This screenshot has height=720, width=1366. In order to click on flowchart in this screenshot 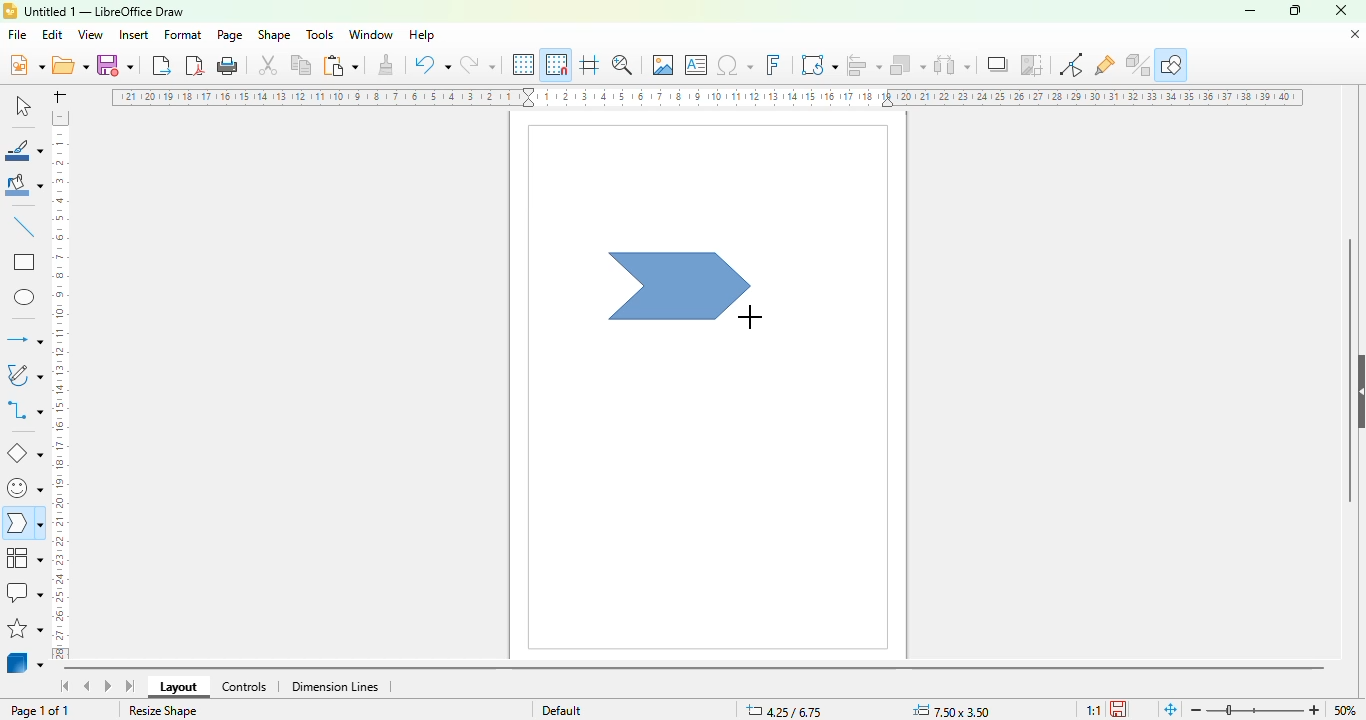, I will do `click(25, 558)`.